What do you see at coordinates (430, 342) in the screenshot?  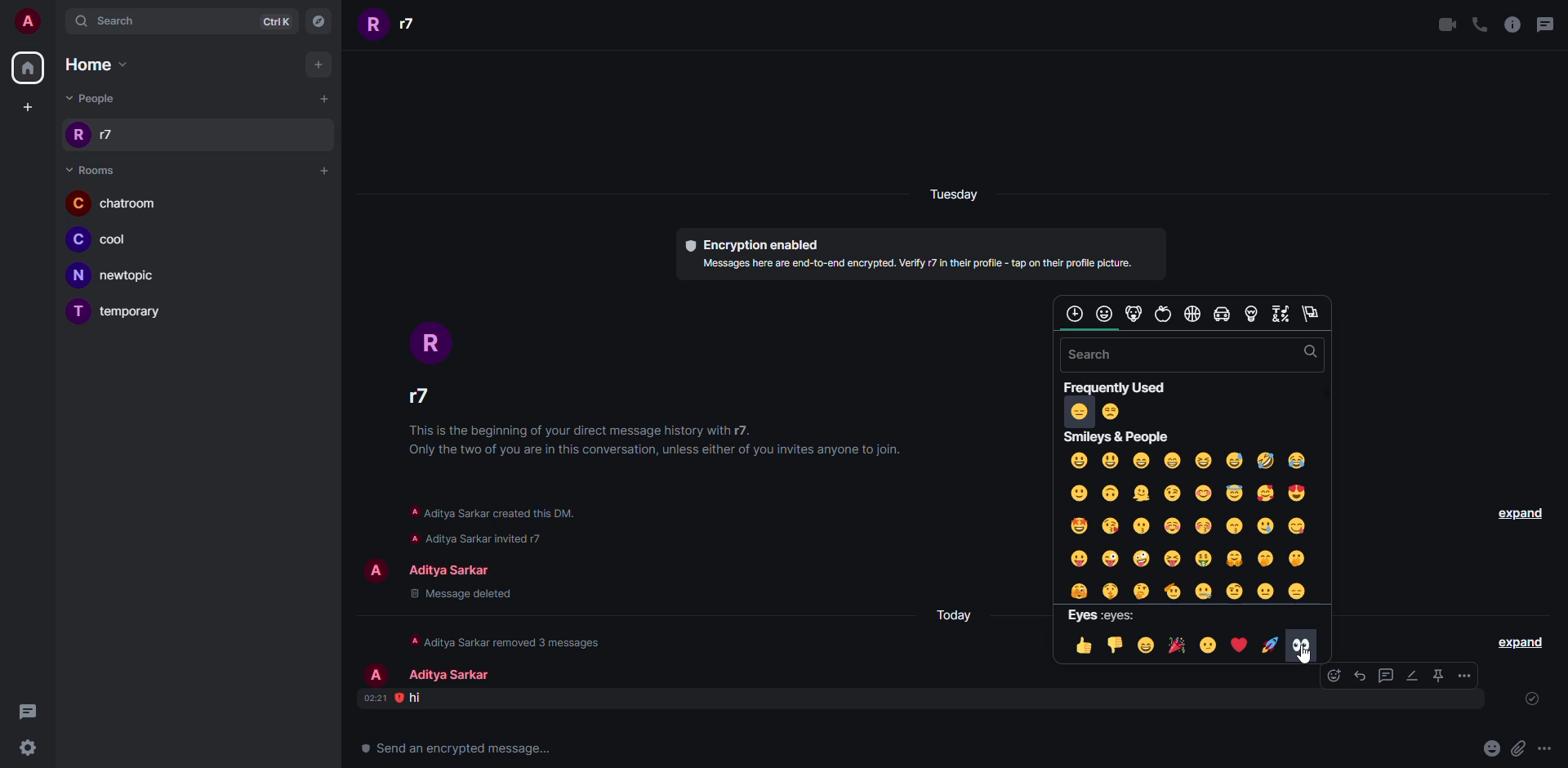 I see `profile` at bounding box center [430, 342].